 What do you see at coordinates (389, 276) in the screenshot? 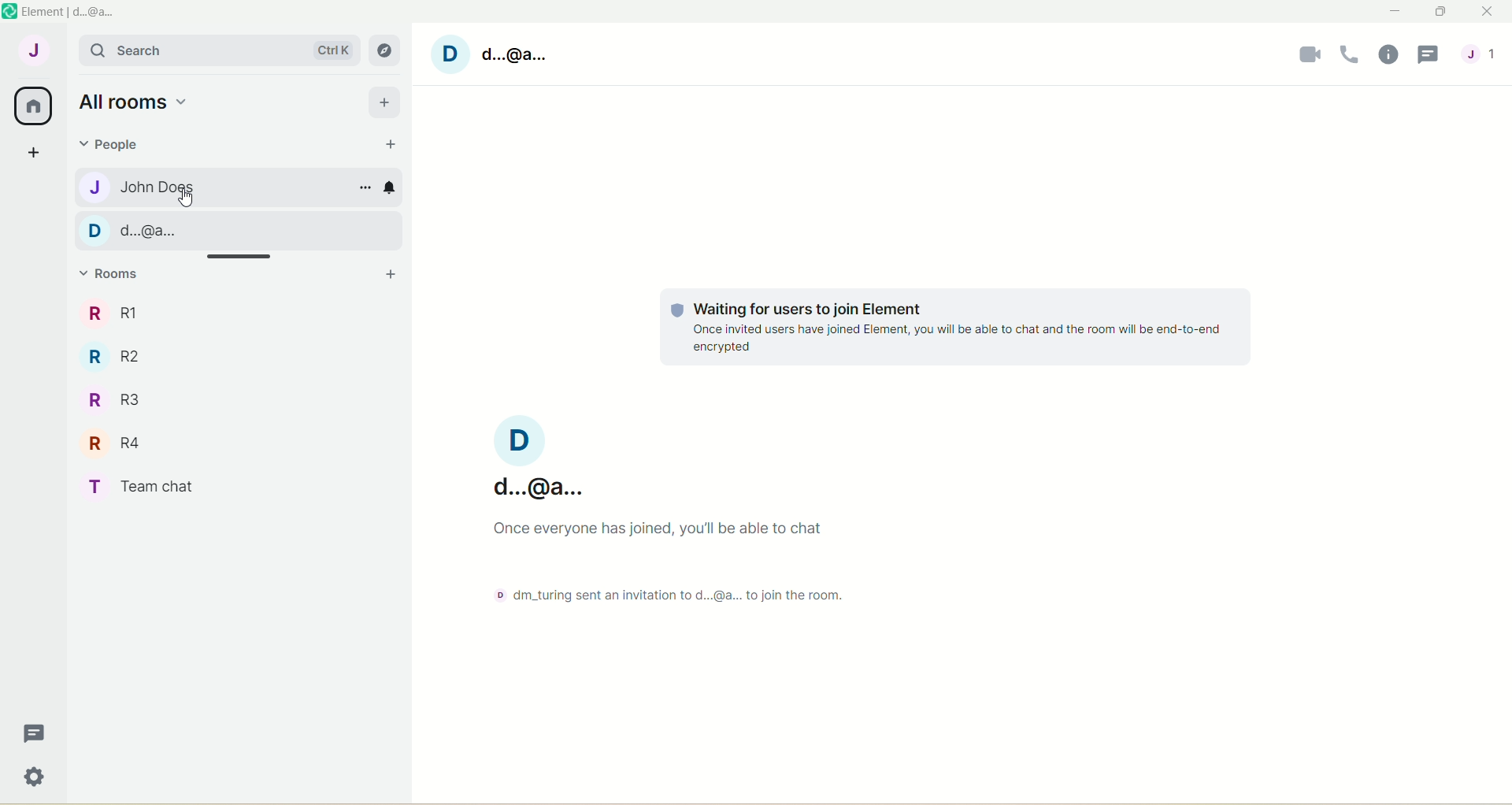
I see `add` at bounding box center [389, 276].